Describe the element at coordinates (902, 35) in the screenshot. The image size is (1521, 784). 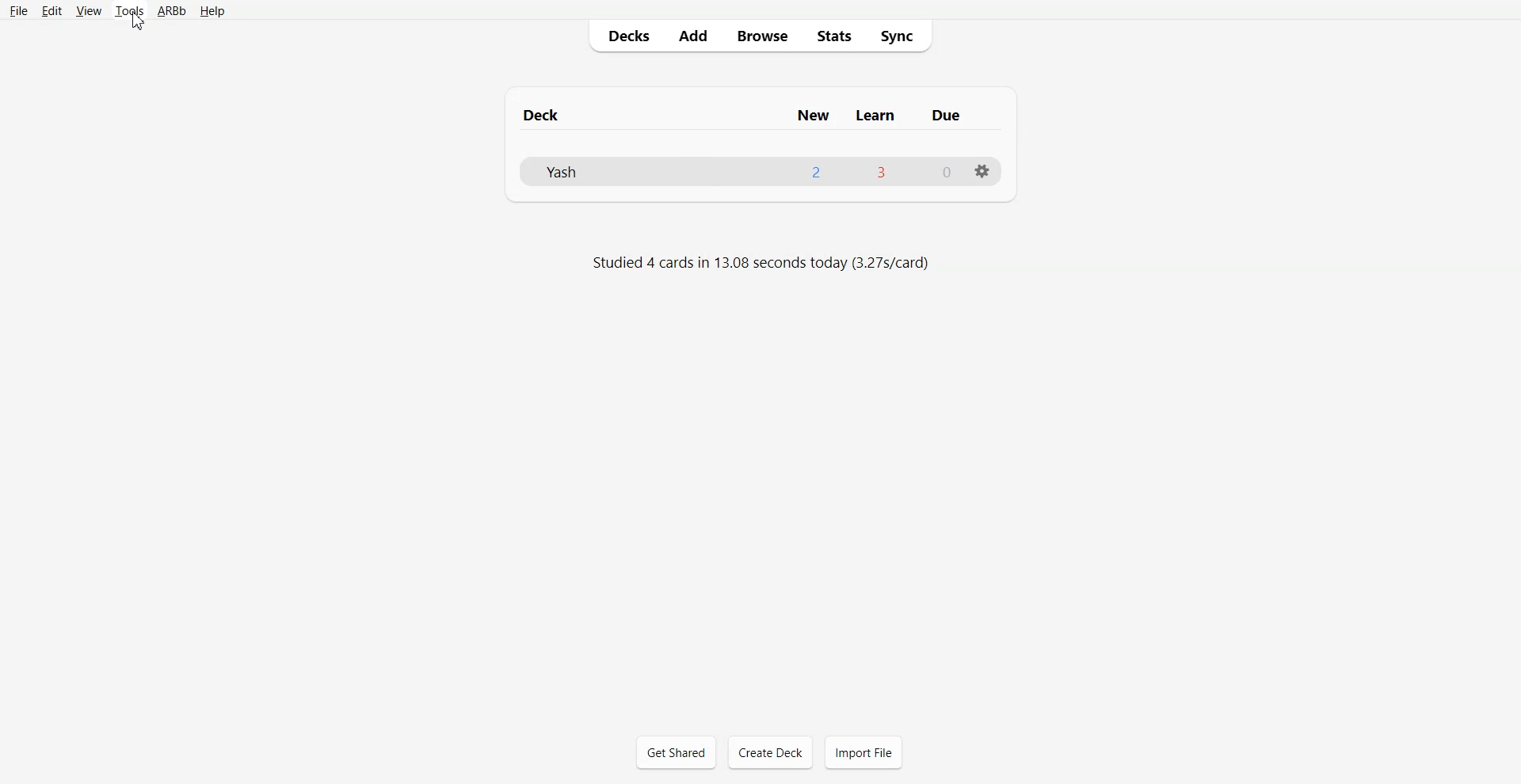
I see `Sync` at that location.